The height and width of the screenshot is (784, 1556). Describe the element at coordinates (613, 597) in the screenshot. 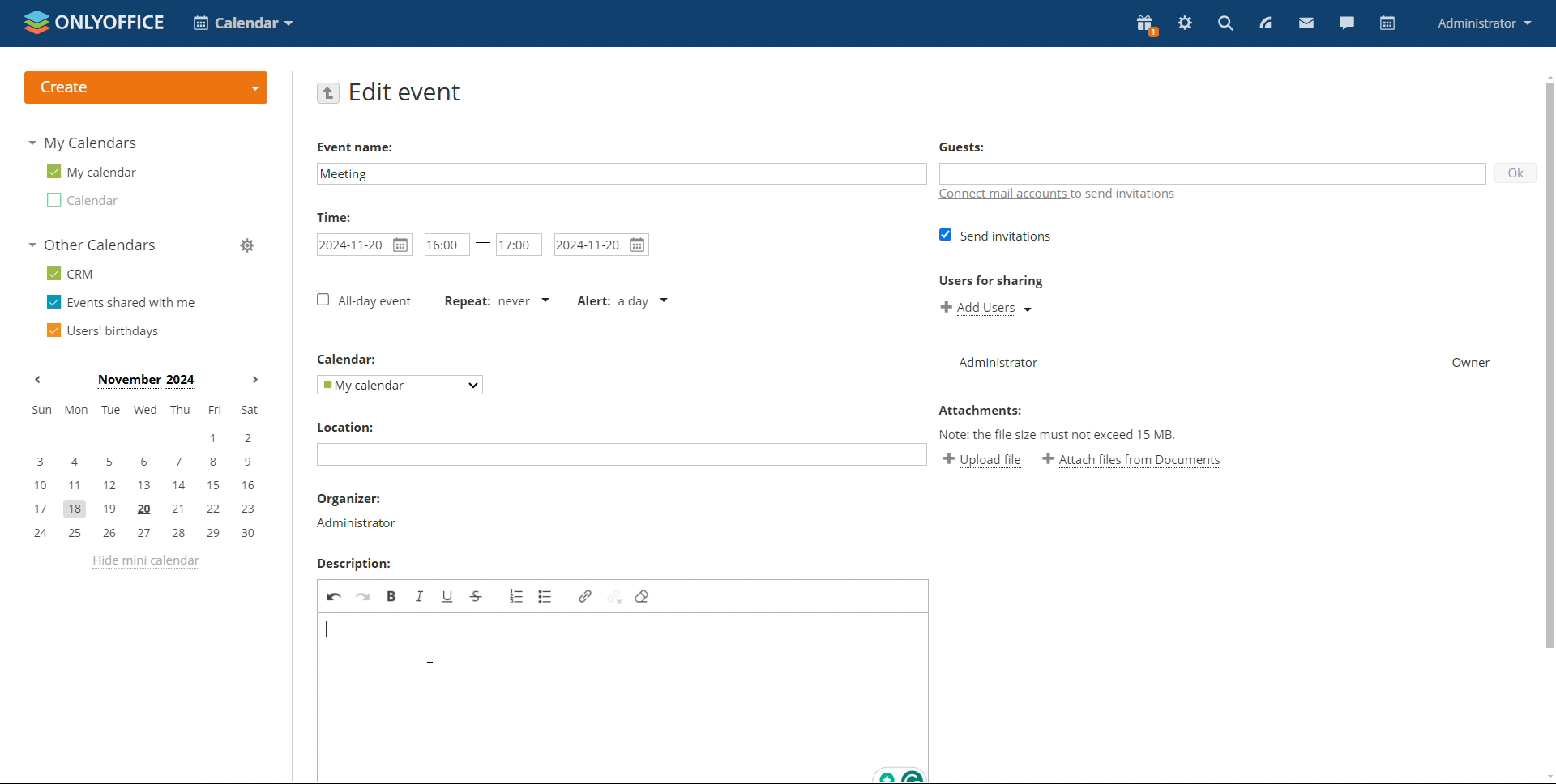

I see `unlink` at that location.